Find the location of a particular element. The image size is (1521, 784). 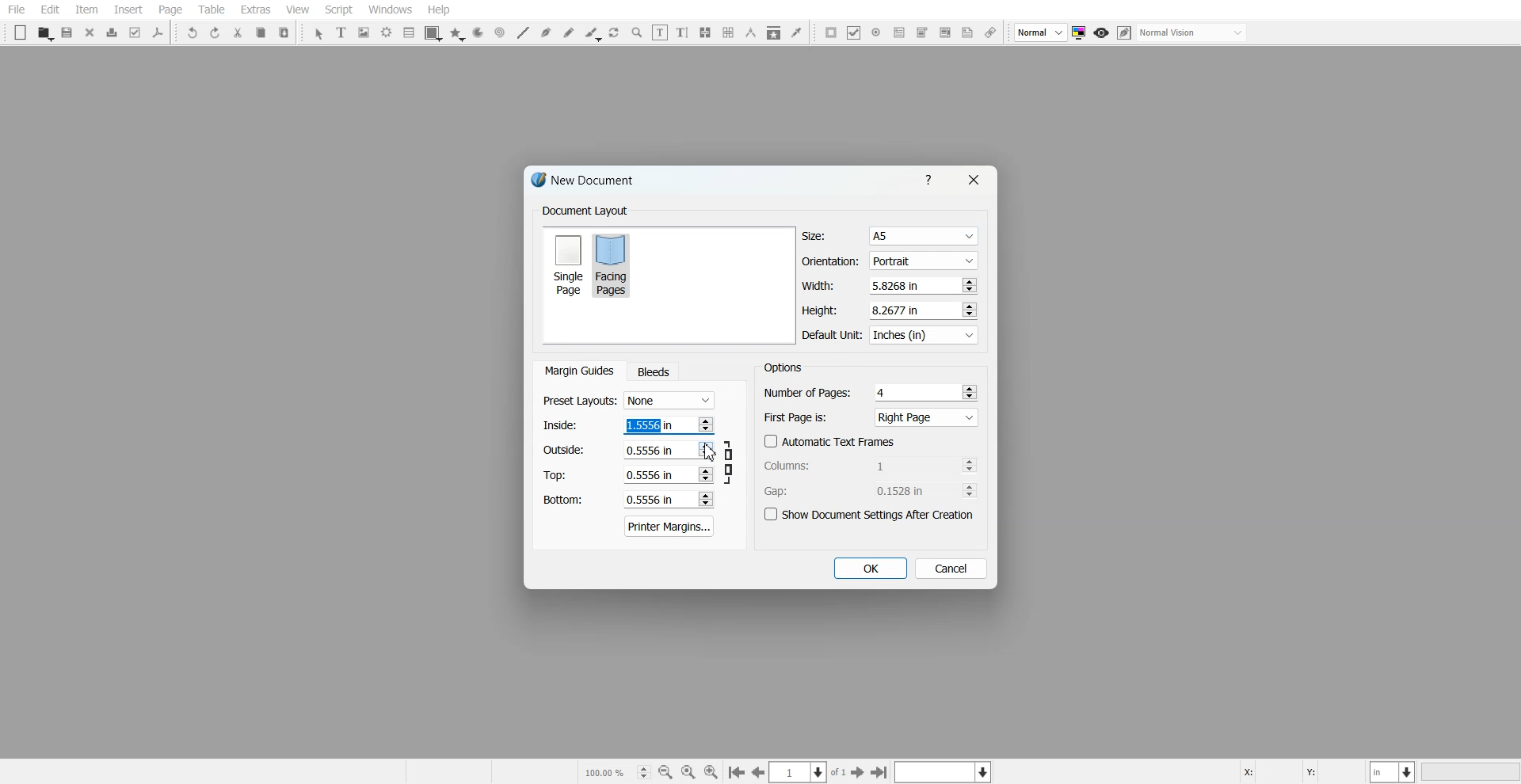

Edit Text is located at coordinates (682, 32).